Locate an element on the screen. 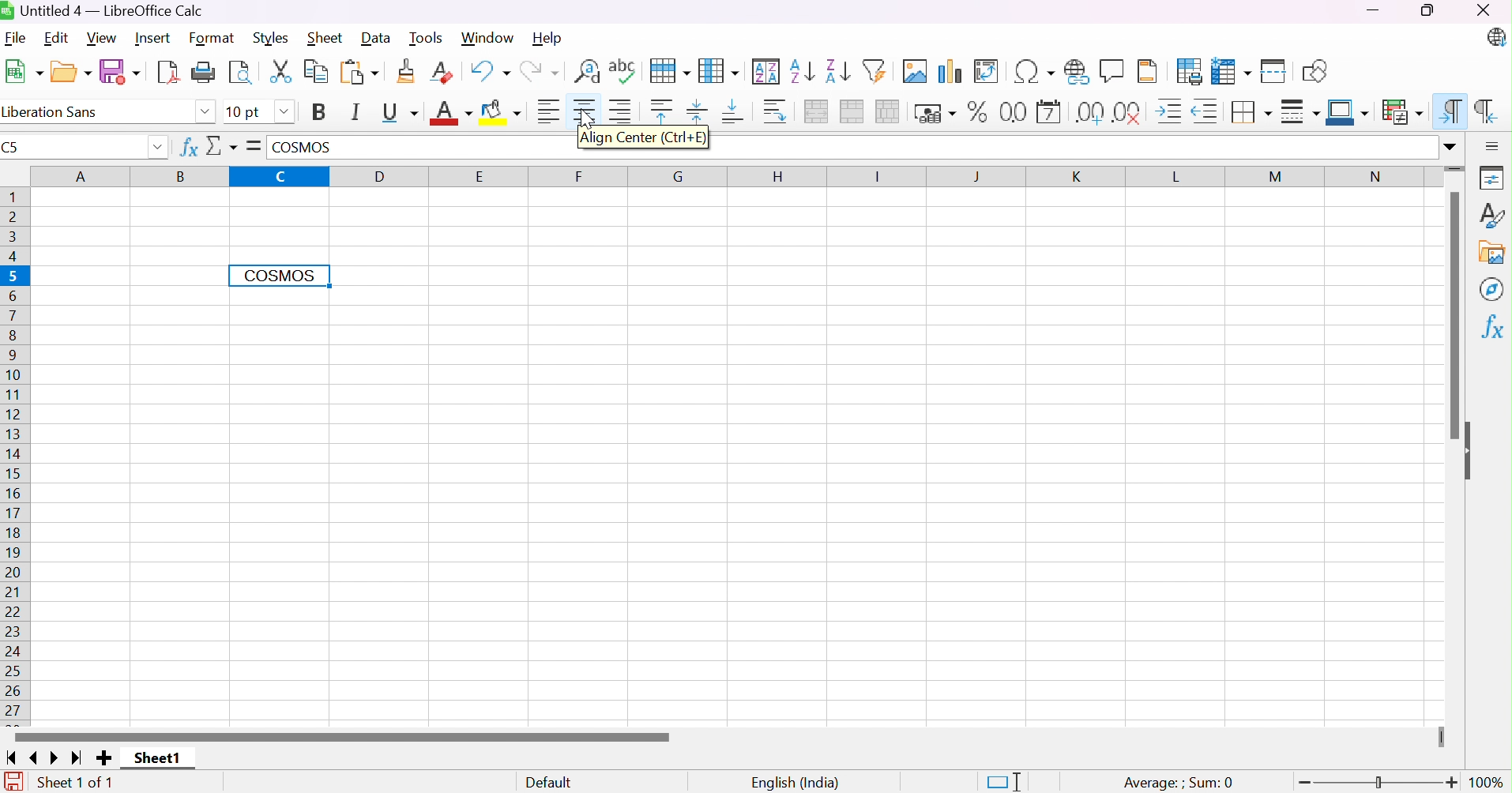 The width and height of the screenshot is (1512, 793). Hide is located at coordinates (1475, 452).